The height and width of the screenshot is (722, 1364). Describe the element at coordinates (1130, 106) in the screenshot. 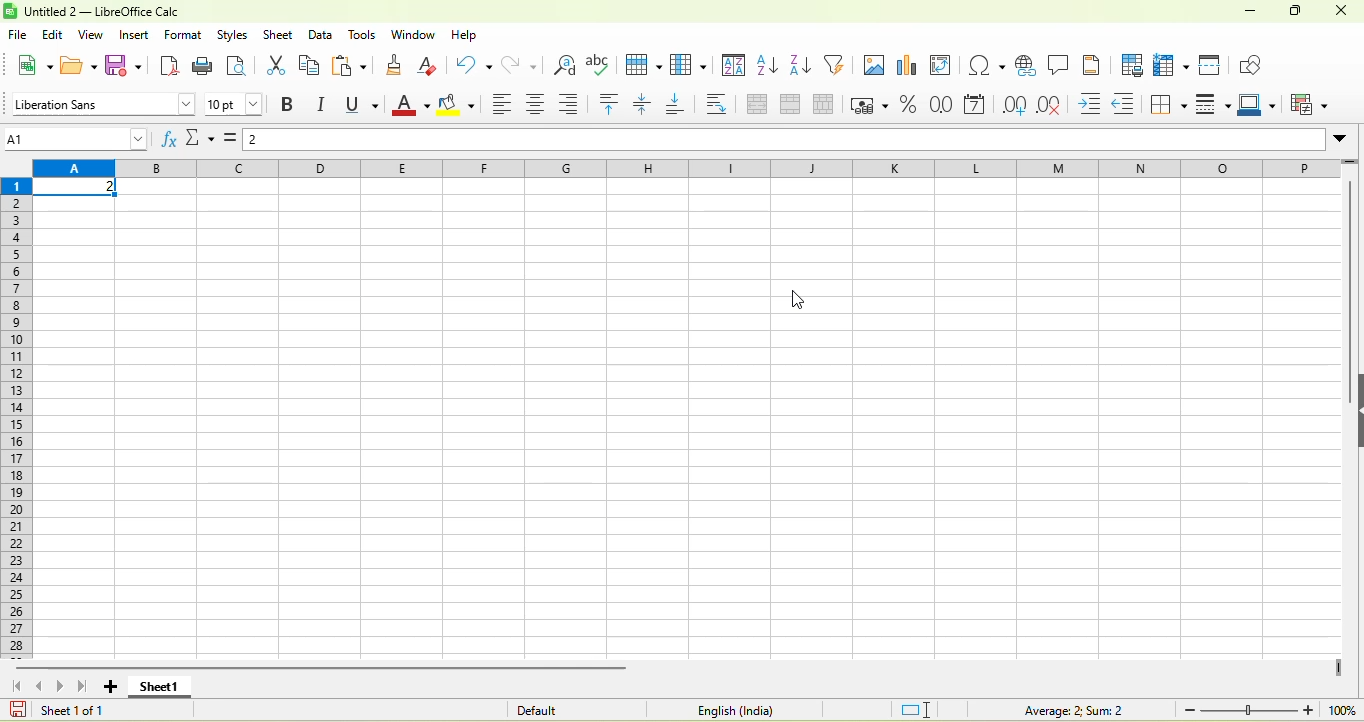

I see `decrease indent` at that location.